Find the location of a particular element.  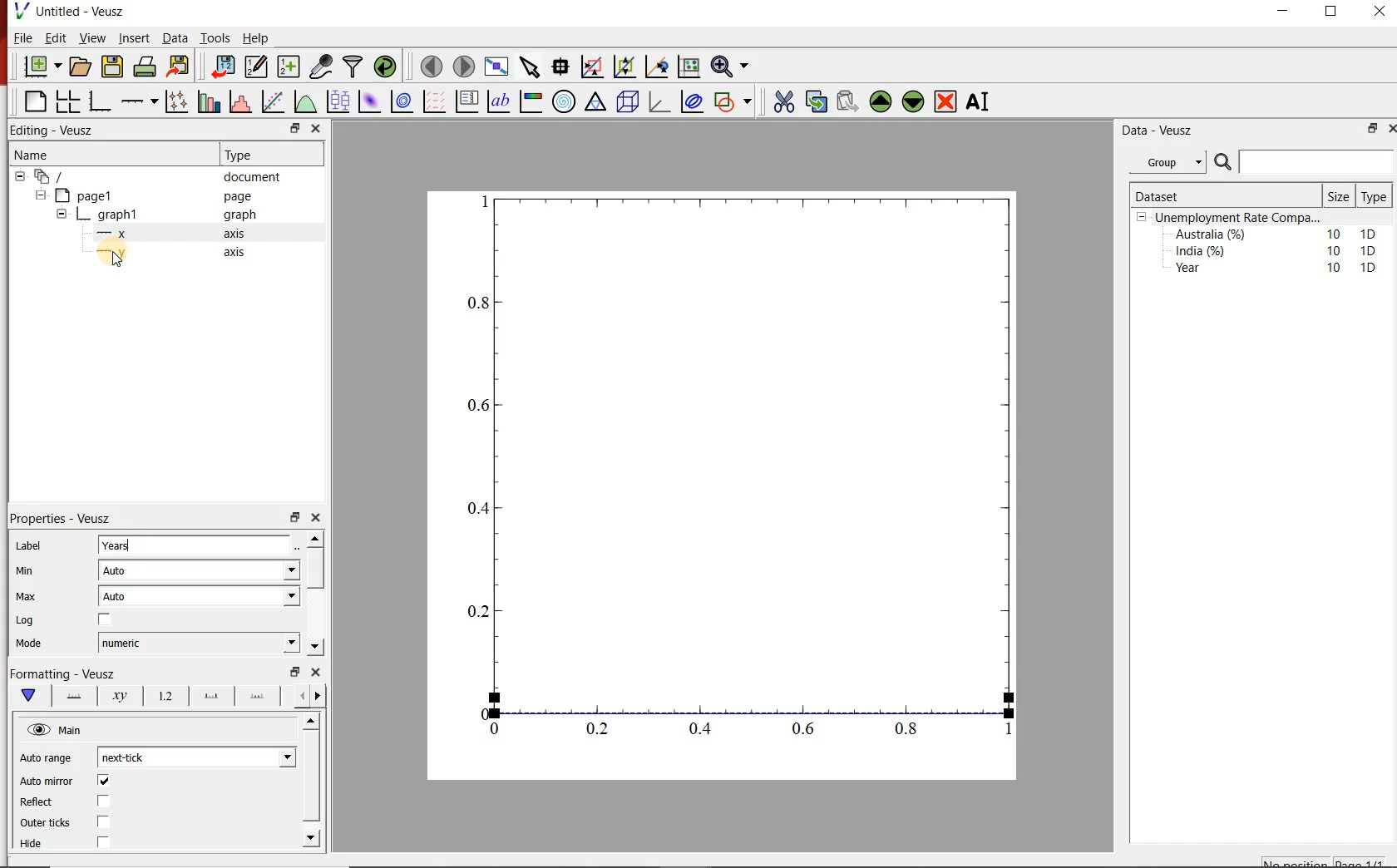

checkbox is located at coordinates (106, 782).